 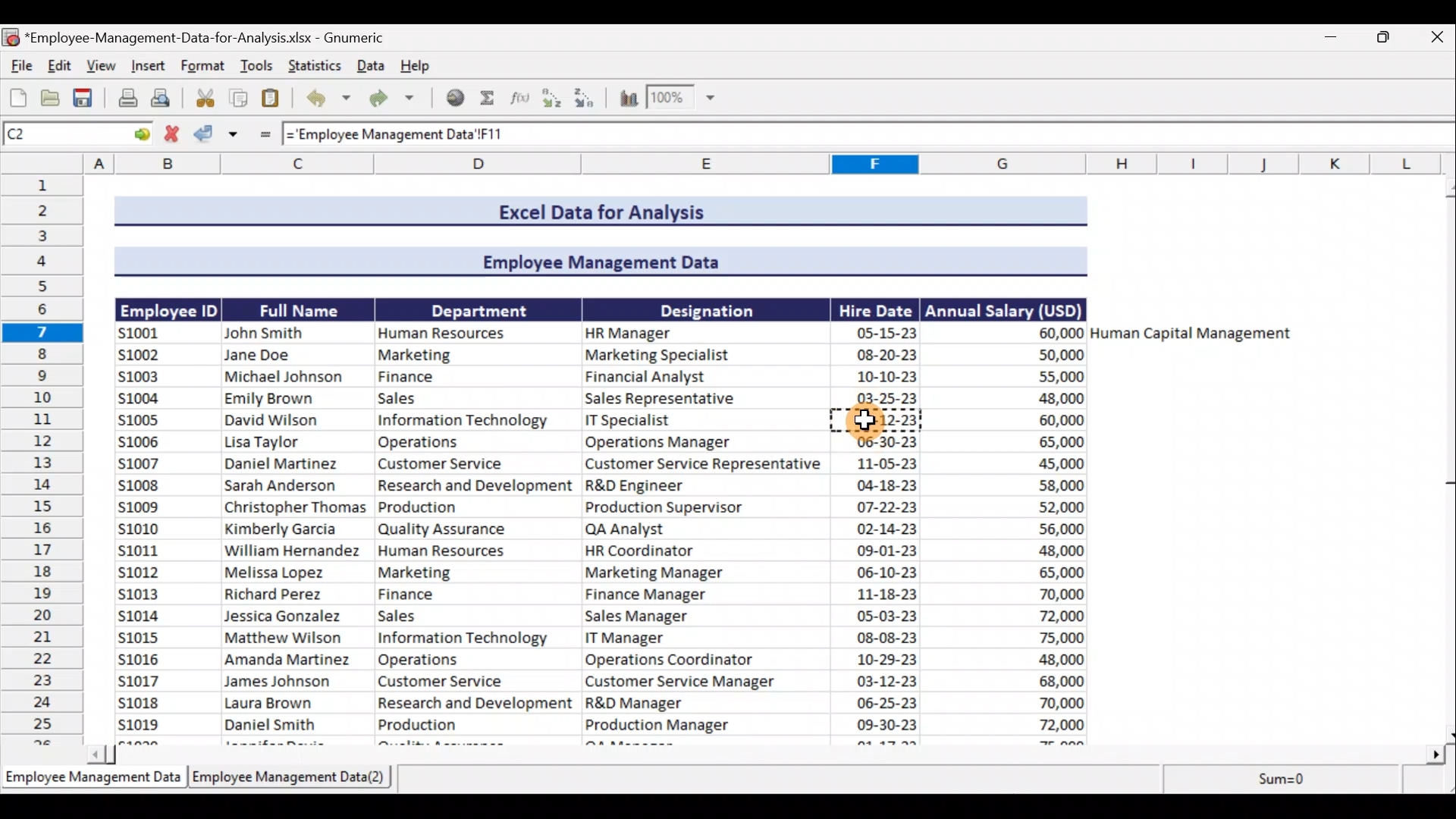 What do you see at coordinates (165, 99) in the screenshot?
I see `Print preview` at bounding box center [165, 99].